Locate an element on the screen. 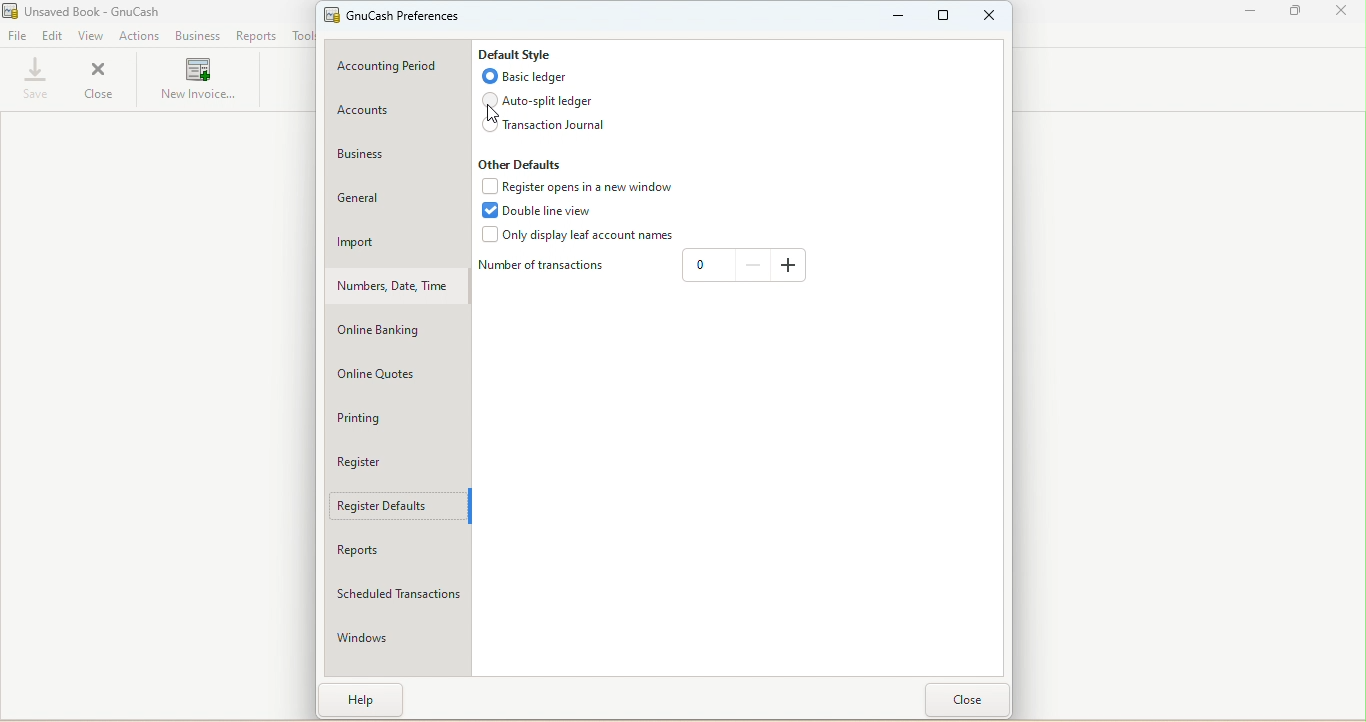 The width and height of the screenshot is (1366, 722). General is located at coordinates (398, 199).